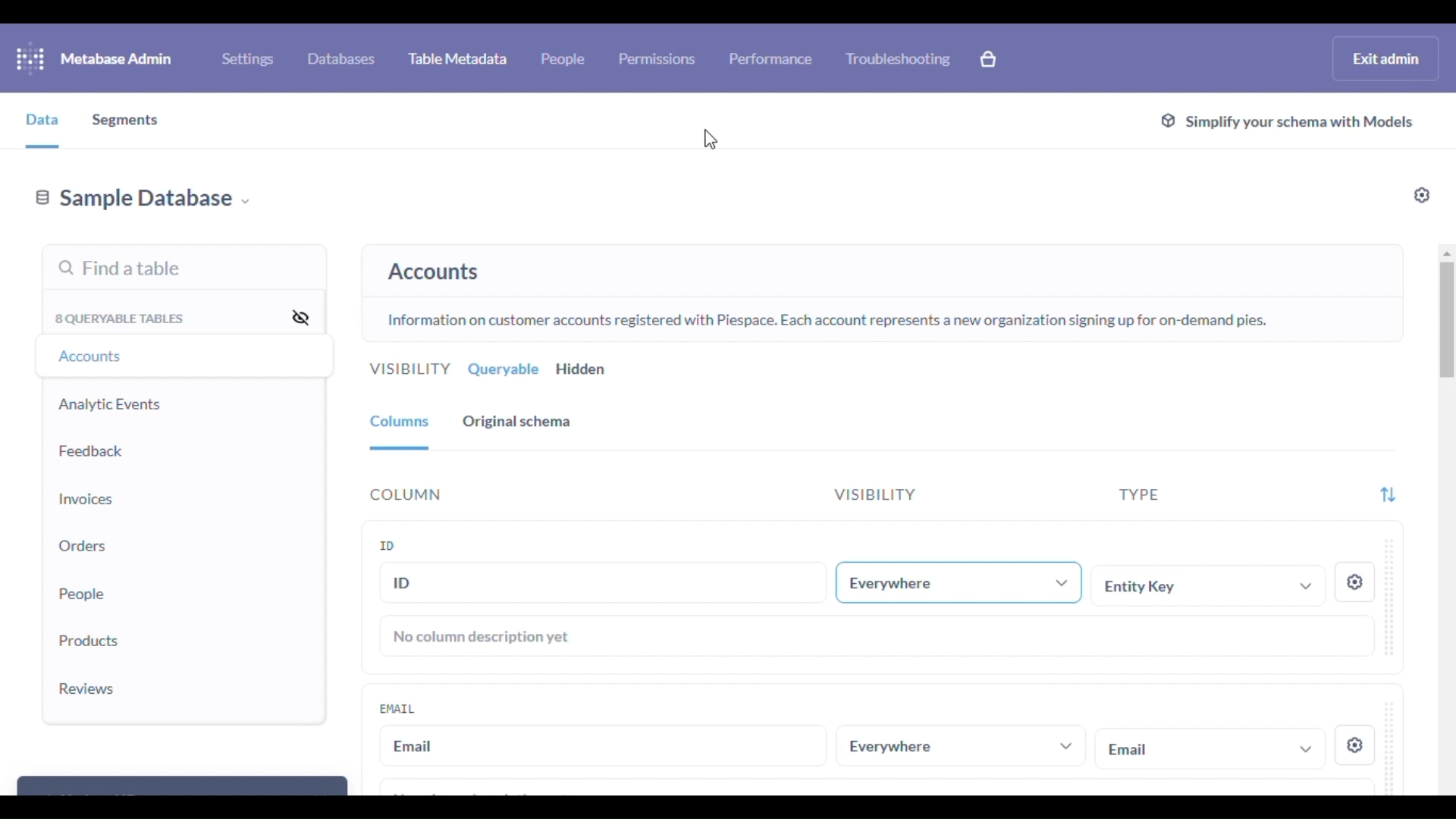 Image resolution: width=1456 pixels, height=819 pixels. What do you see at coordinates (1388, 496) in the screenshot?
I see `filter` at bounding box center [1388, 496].